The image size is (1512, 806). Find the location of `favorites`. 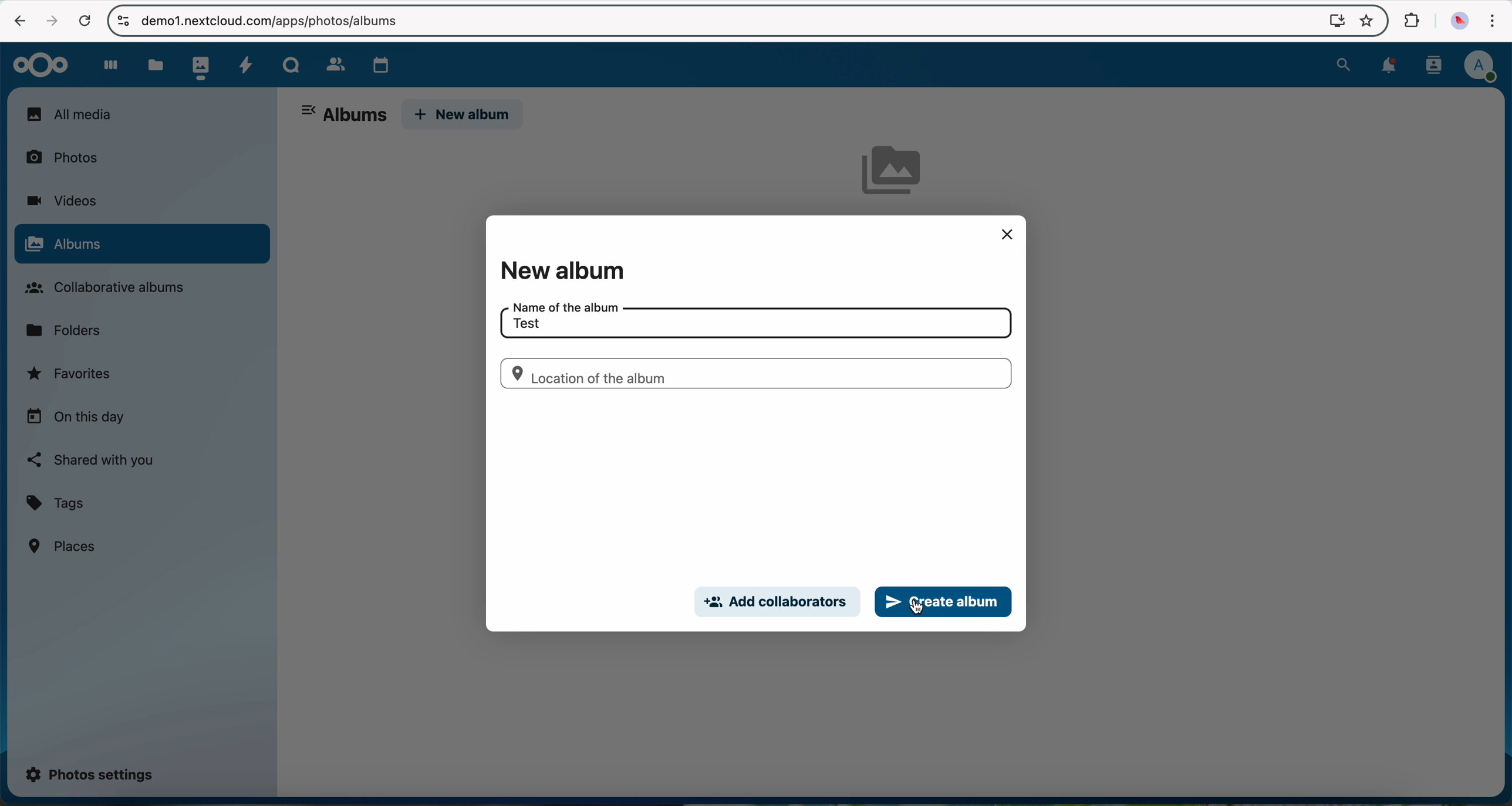

favorites is located at coordinates (1365, 22).